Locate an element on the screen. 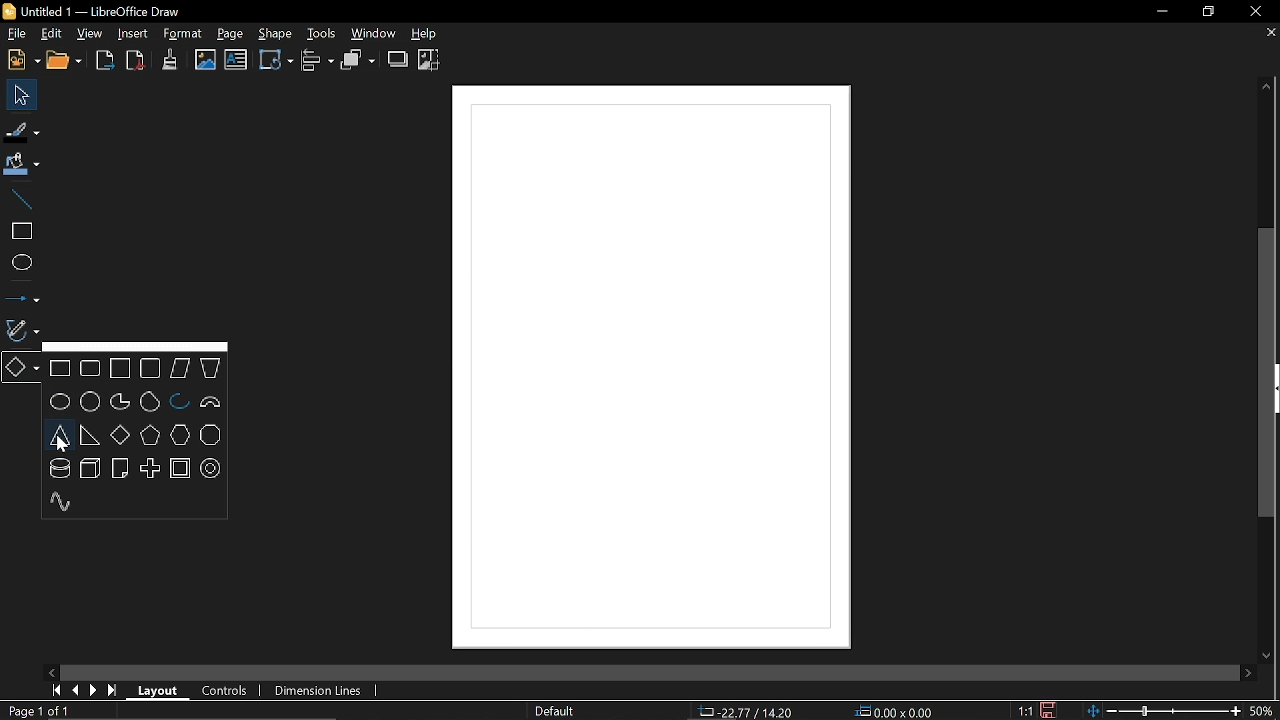  SHAPES is located at coordinates (135, 435).